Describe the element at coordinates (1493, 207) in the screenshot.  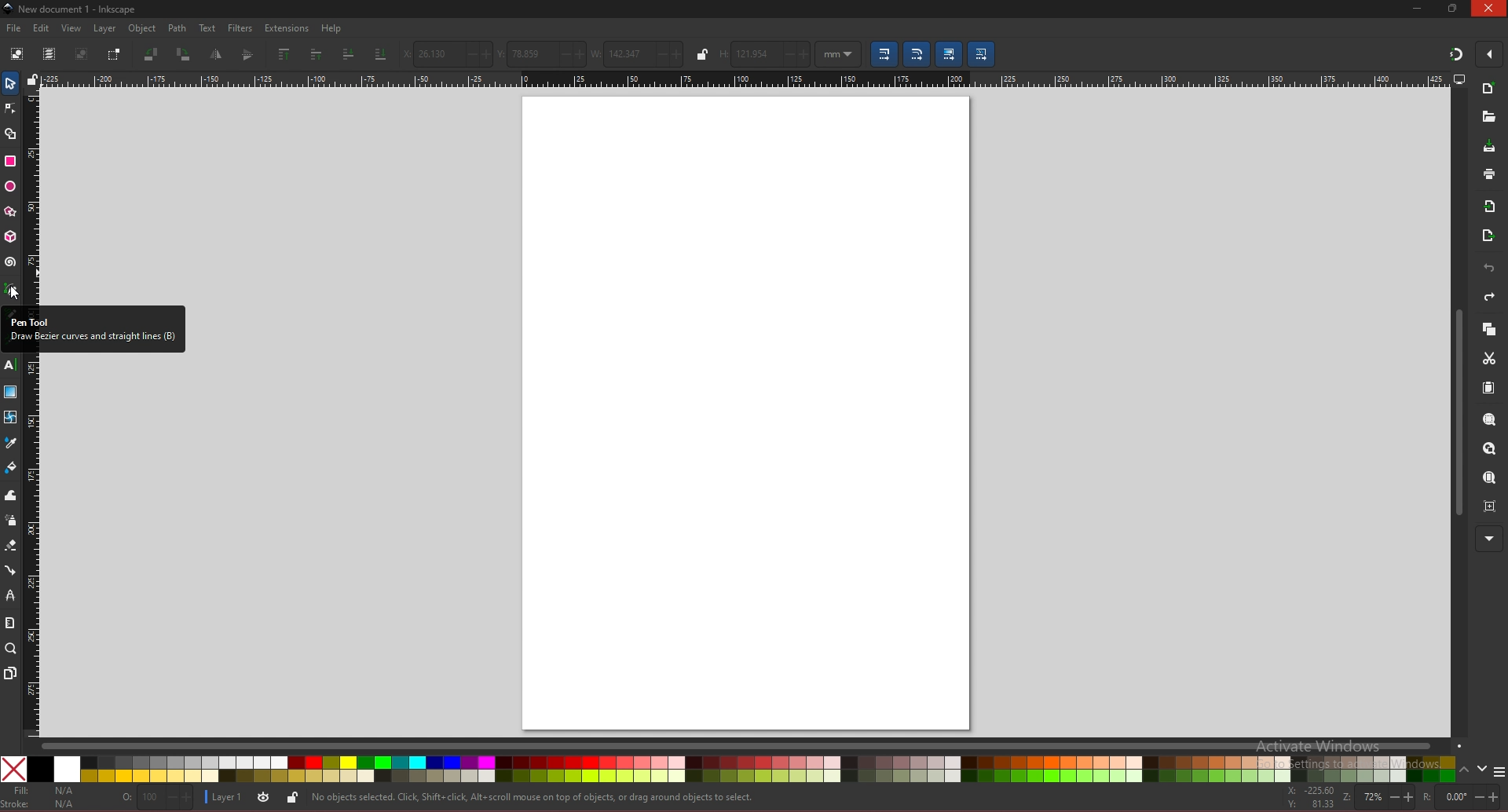
I see `import` at that location.